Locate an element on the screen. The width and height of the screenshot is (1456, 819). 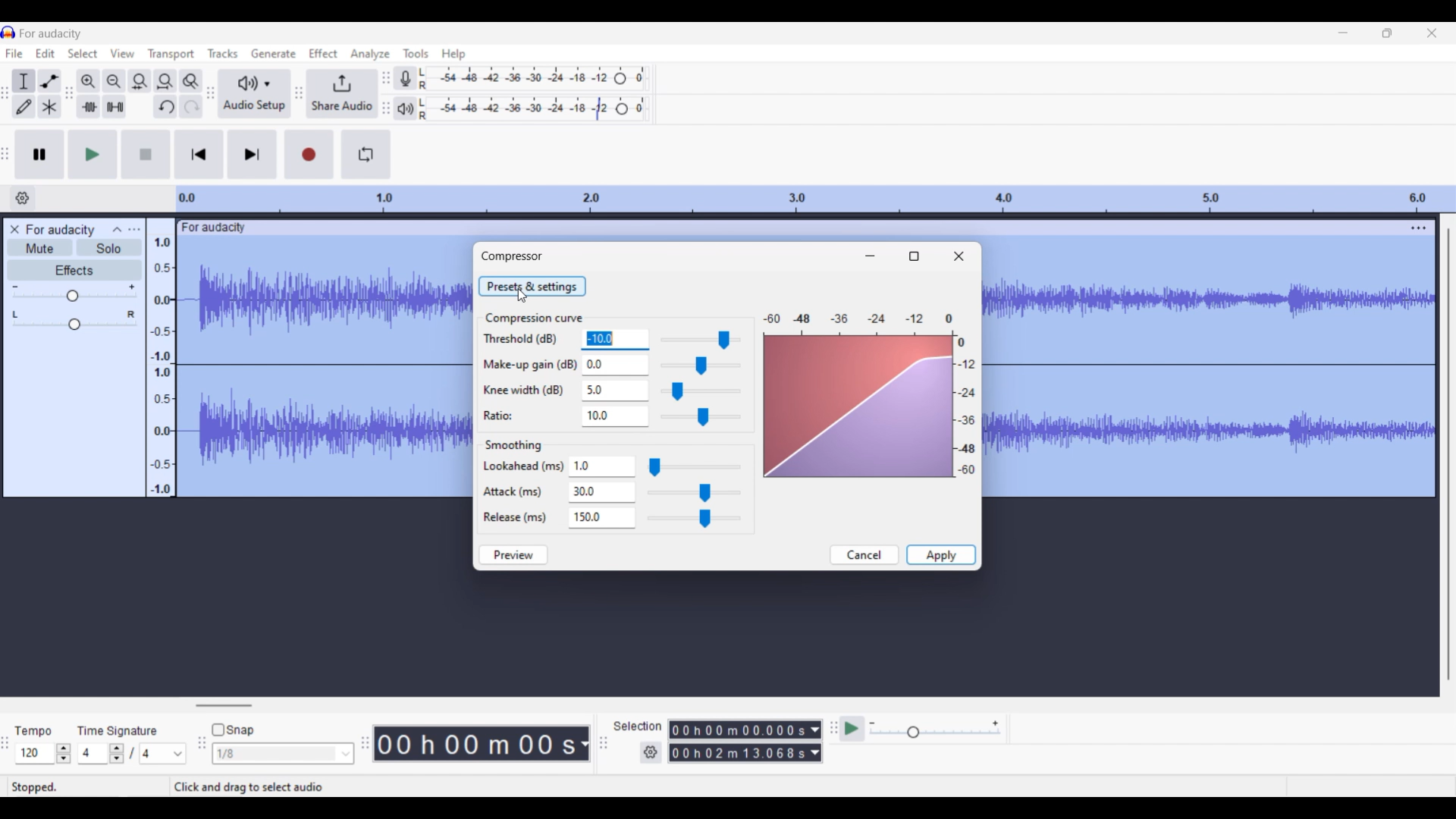
Audio setup is located at coordinates (253, 93).